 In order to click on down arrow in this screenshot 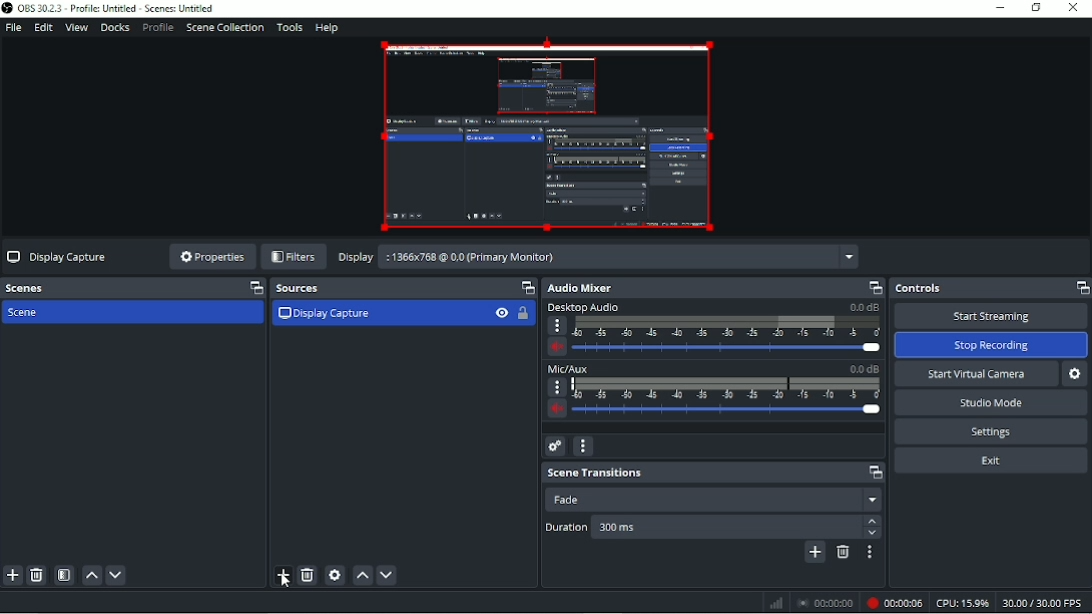, I will do `click(873, 534)`.